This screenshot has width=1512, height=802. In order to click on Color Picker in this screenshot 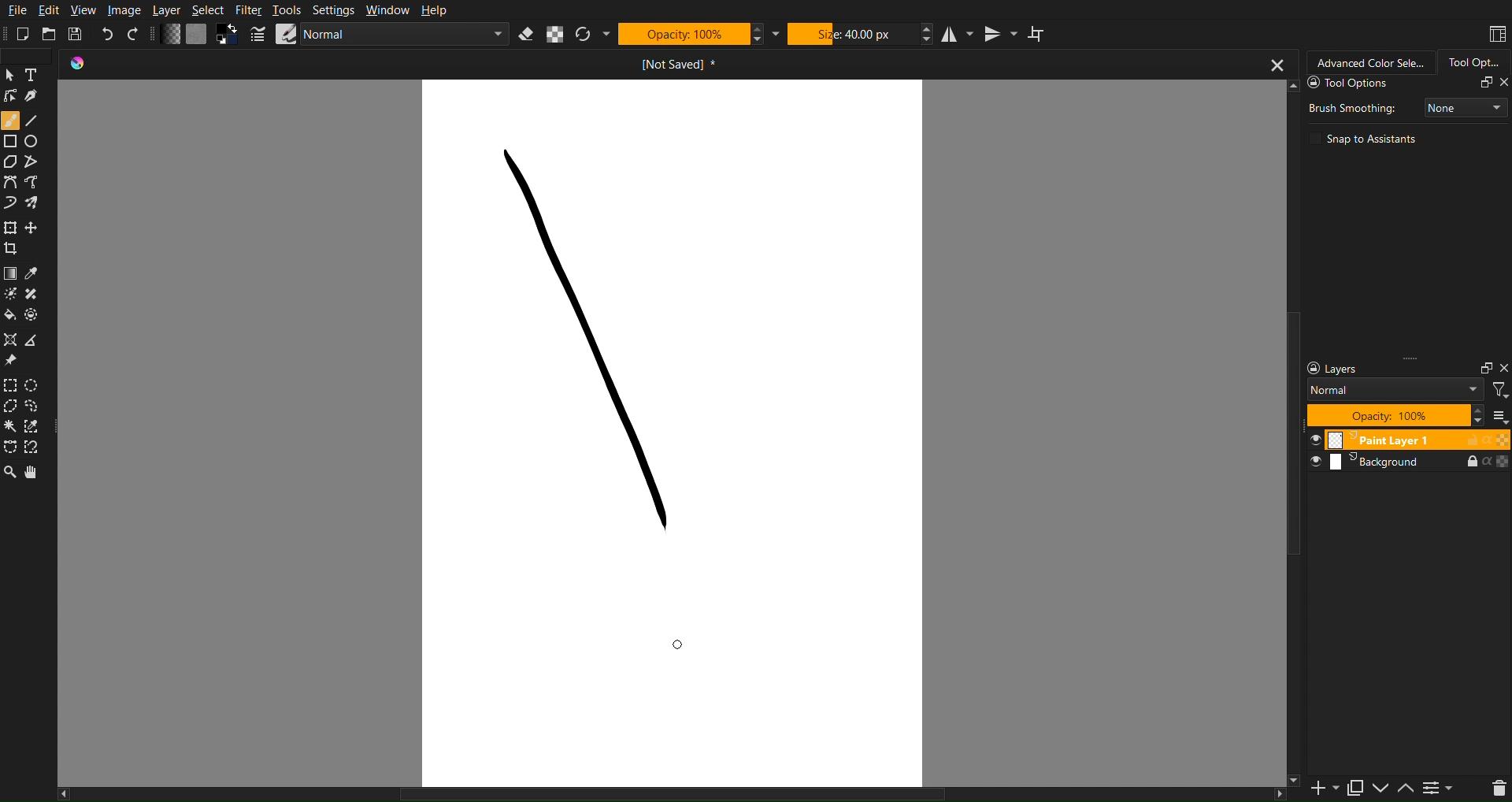, I will do `click(38, 273)`.